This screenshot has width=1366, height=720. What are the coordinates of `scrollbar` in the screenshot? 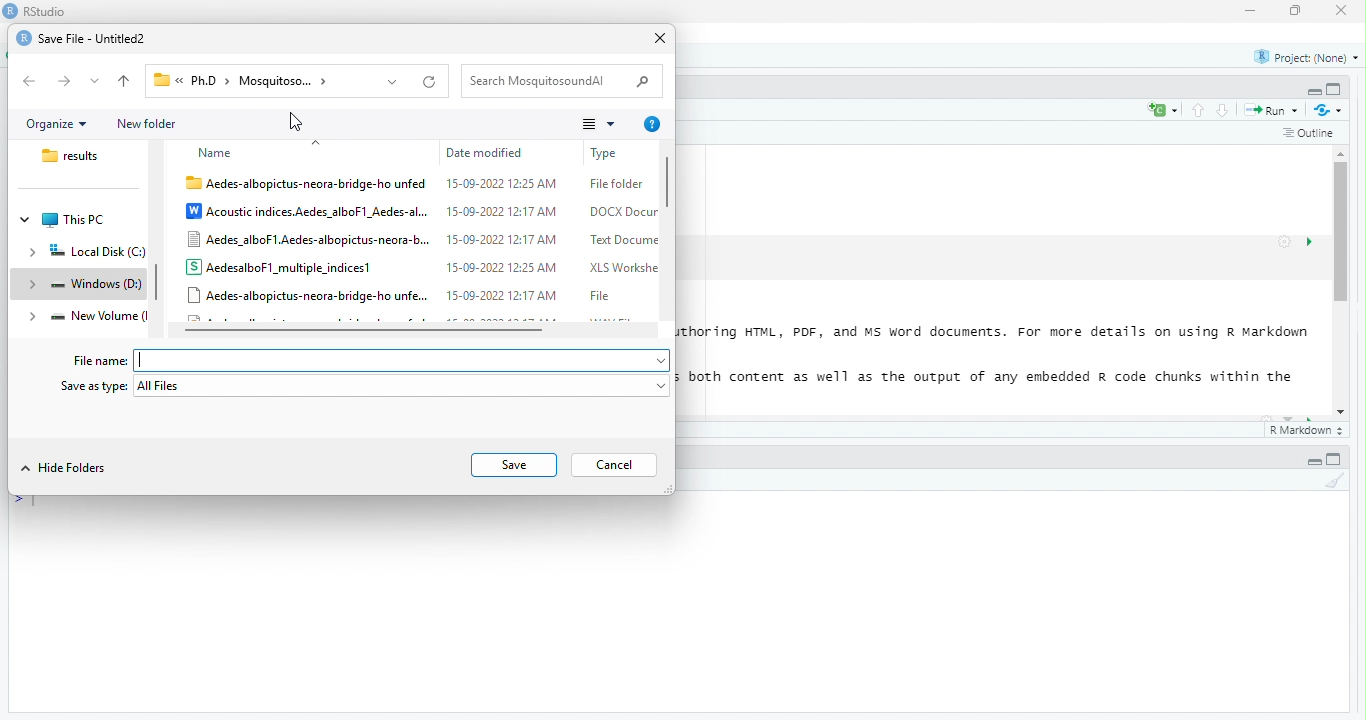 It's located at (1342, 282).